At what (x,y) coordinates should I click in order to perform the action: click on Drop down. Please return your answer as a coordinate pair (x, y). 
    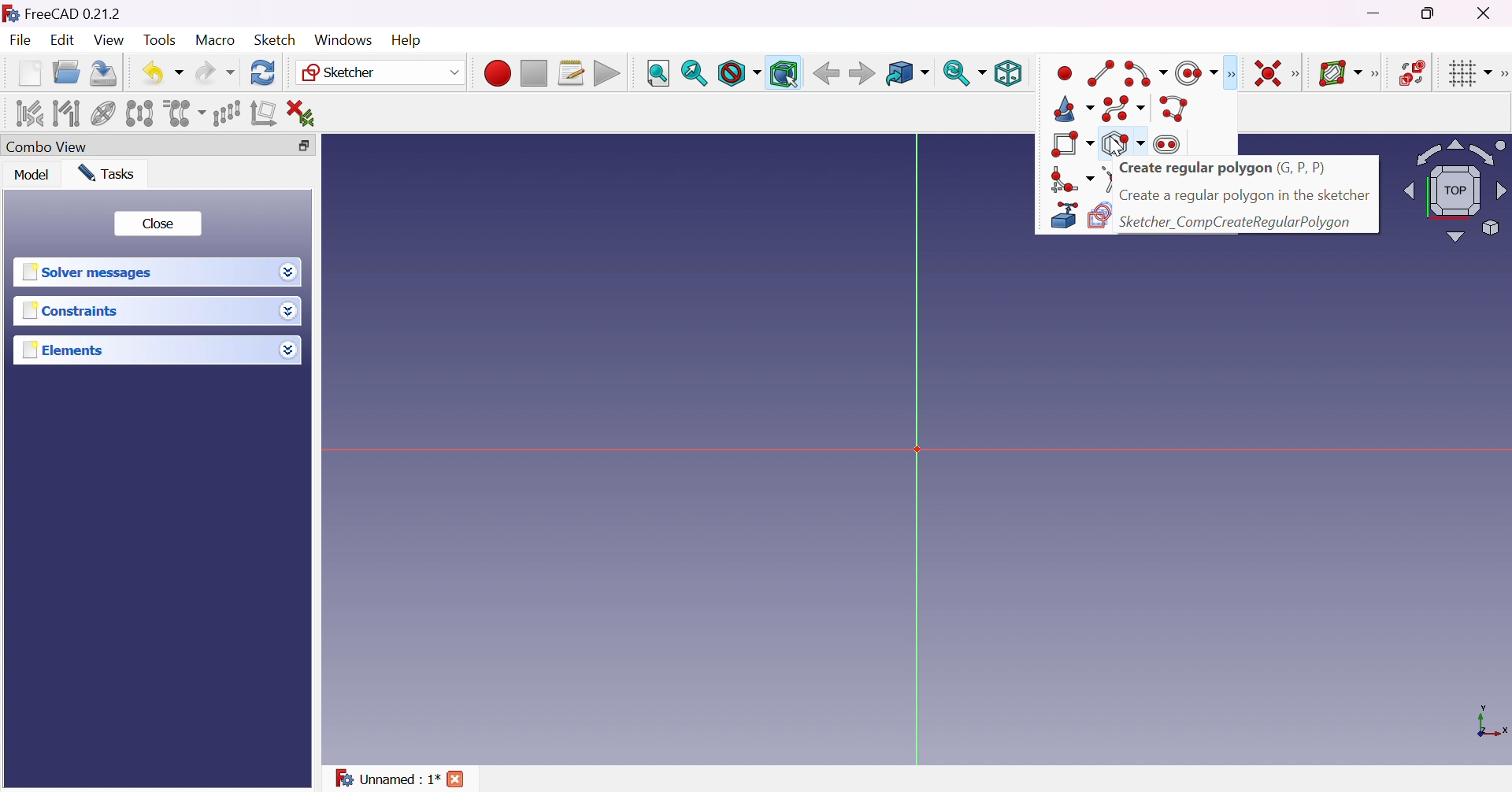
    Looking at the image, I should click on (287, 270).